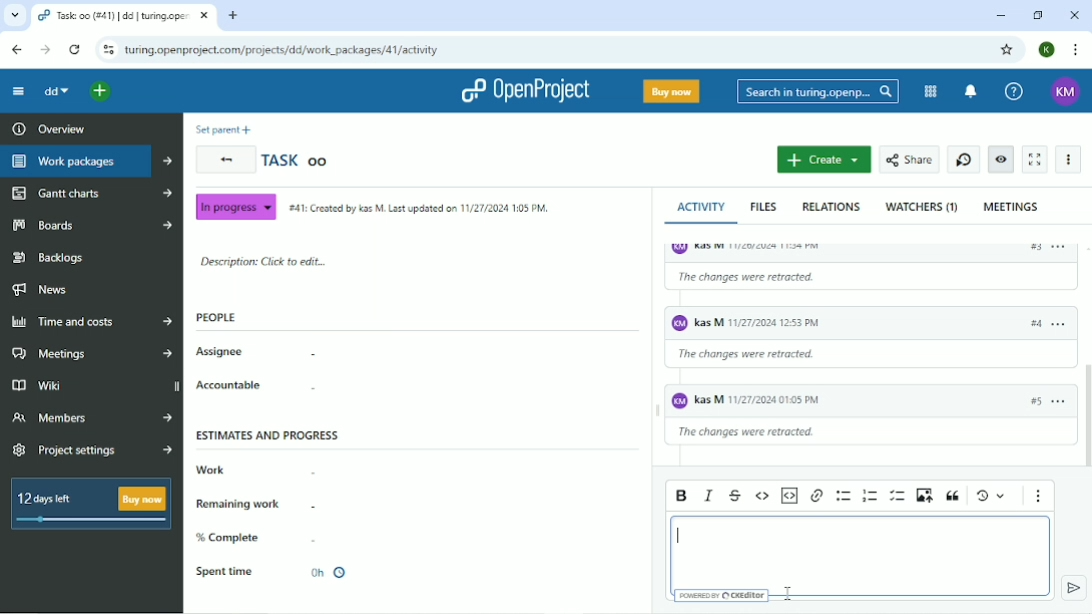 This screenshot has width=1092, height=614. What do you see at coordinates (122, 16) in the screenshot?
I see `All open | dd | turing.openproject.com` at bounding box center [122, 16].